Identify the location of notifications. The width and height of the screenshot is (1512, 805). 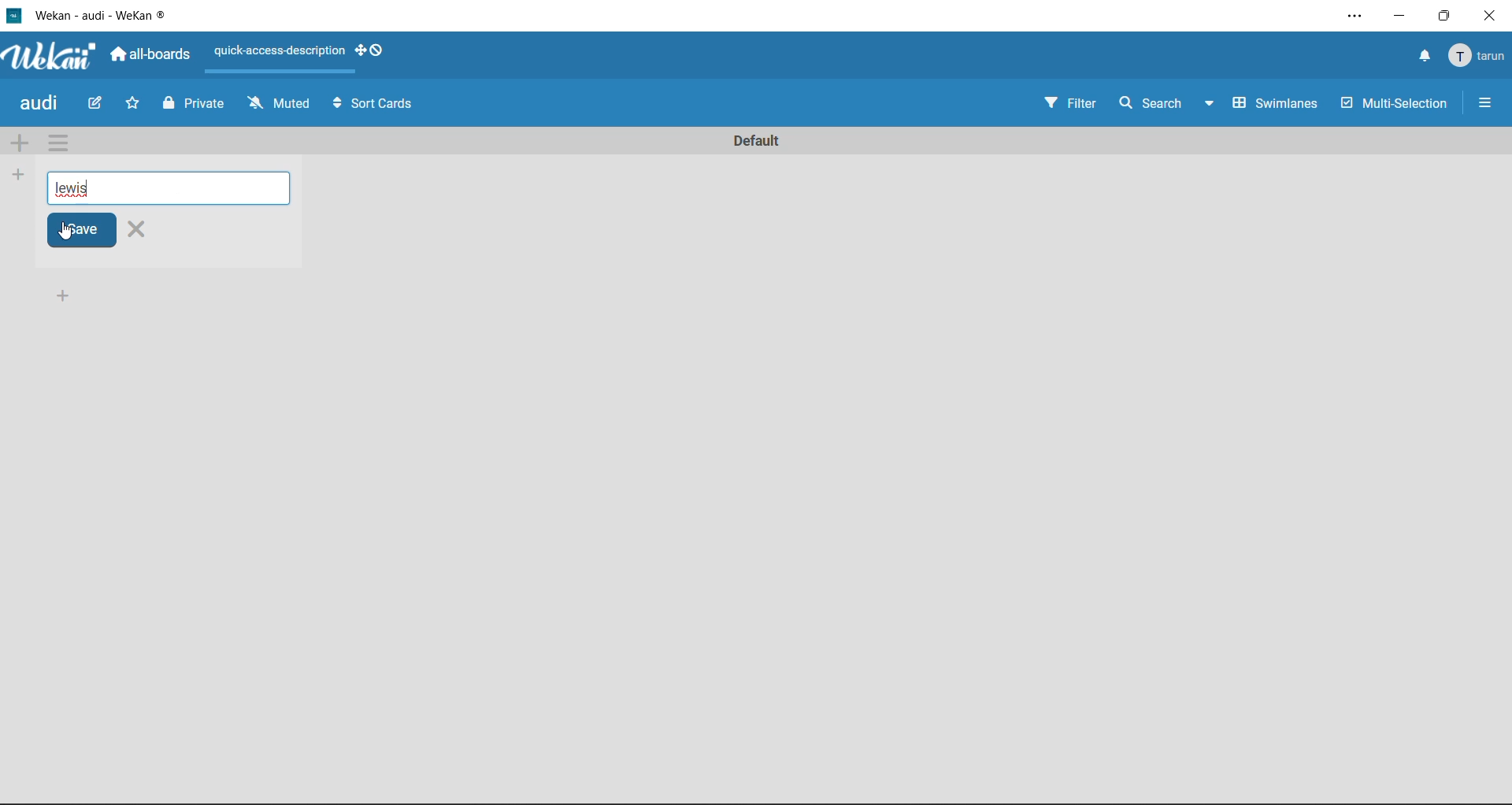
(1424, 57).